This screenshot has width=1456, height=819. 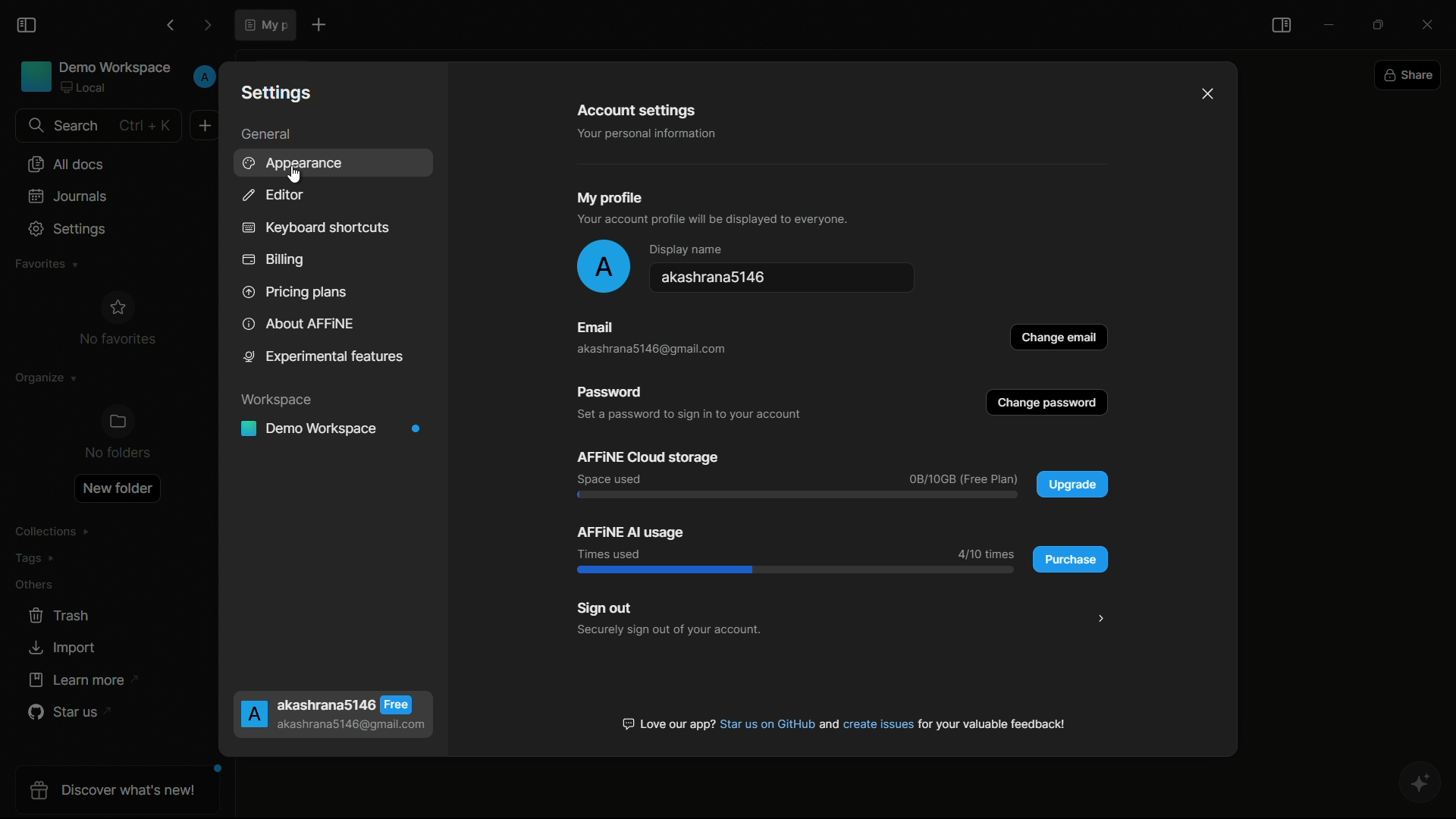 What do you see at coordinates (1382, 24) in the screenshot?
I see `maximize or restore` at bounding box center [1382, 24].